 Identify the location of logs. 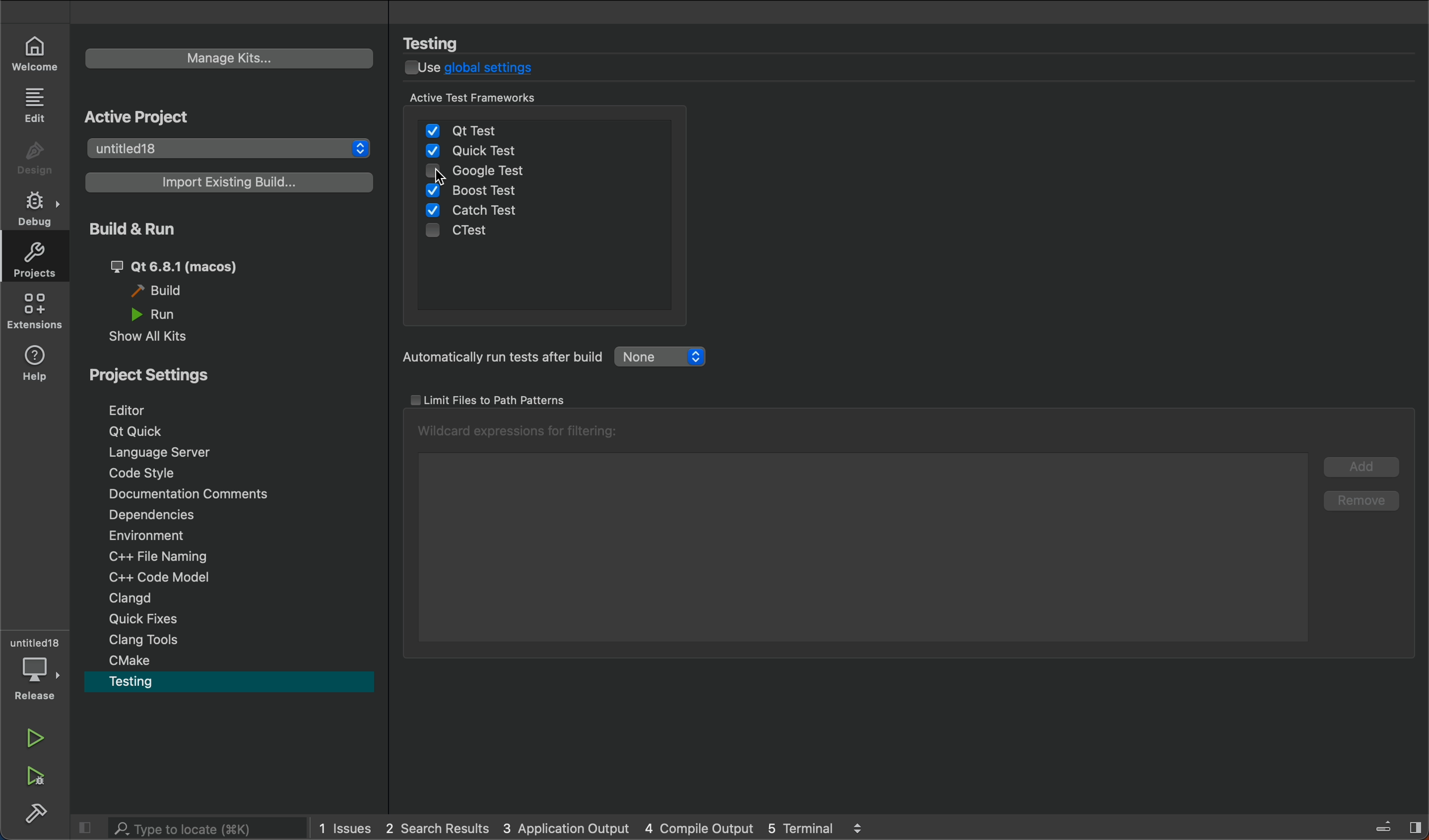
(590, 831).